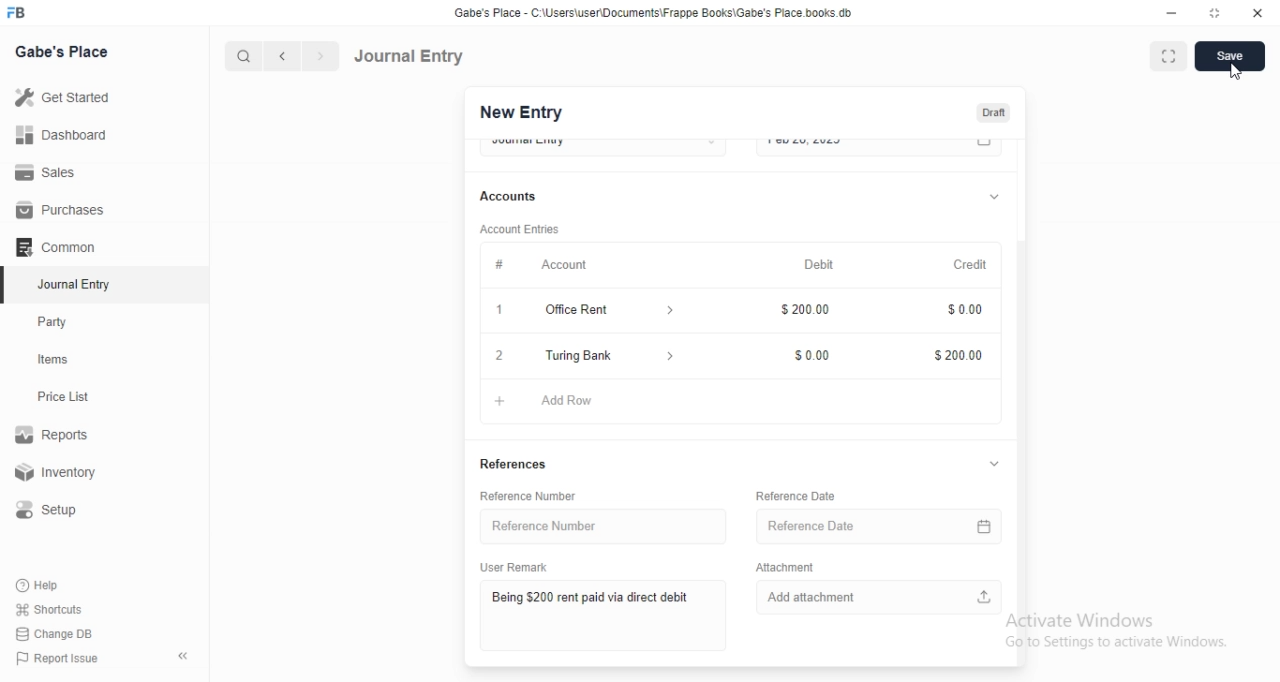 The width and height of the screenshot is (1280, 682). I want to click on Inventory, so click(59, 474).